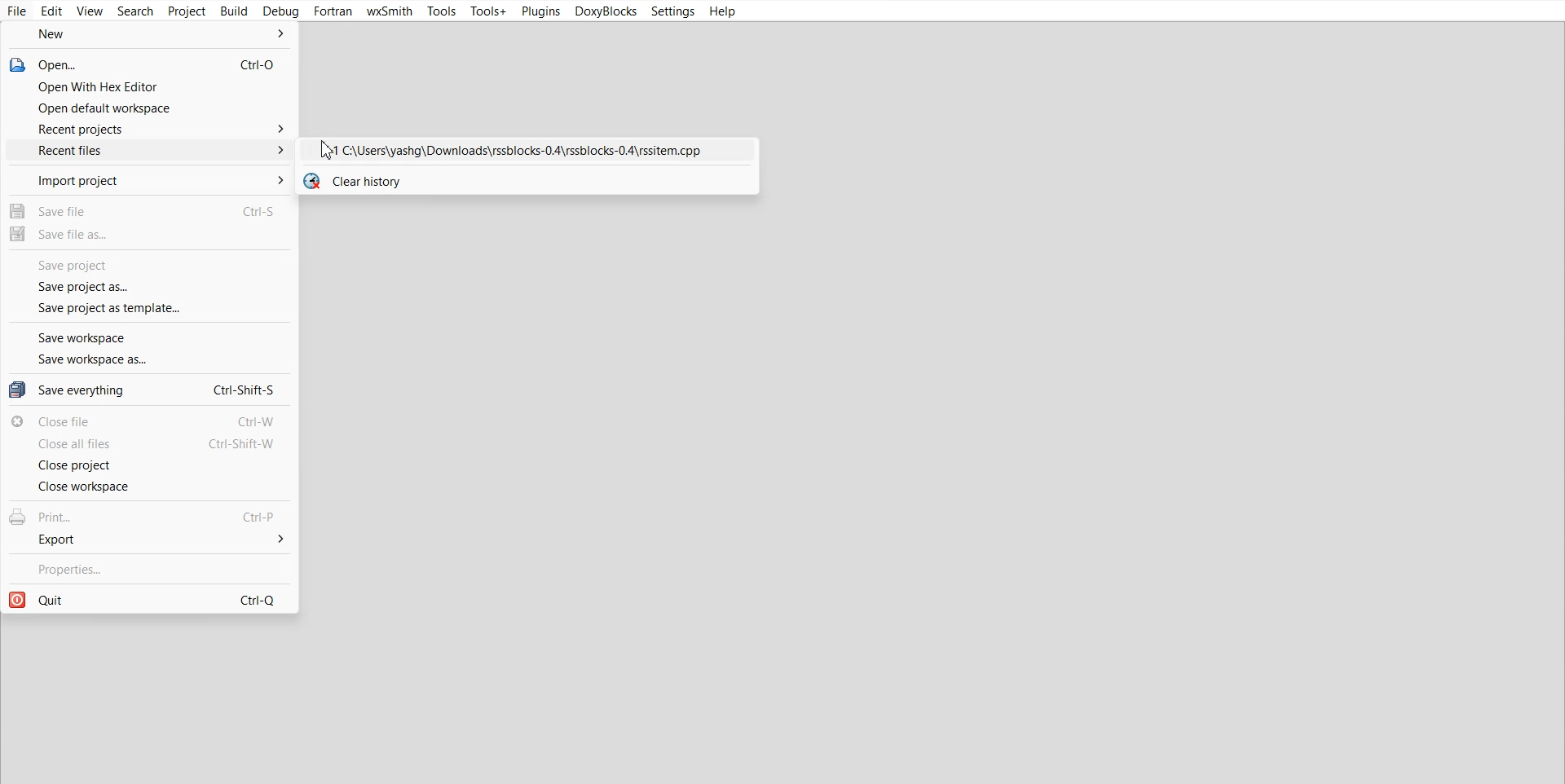 The height and width of the screenshot is (784, 1565). I want to click on Fortran, so click(333, 11).